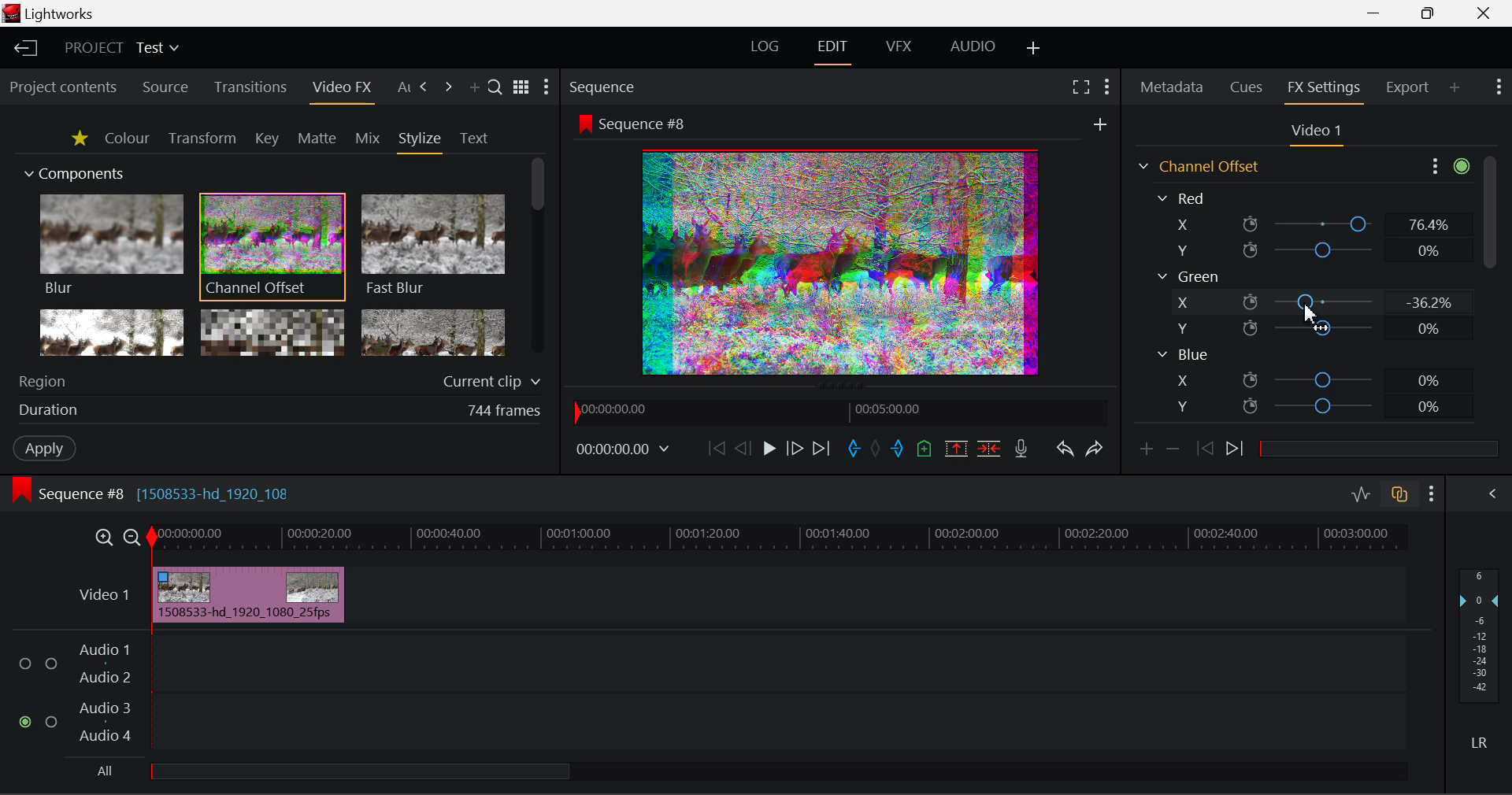  I want to click on Frame Time, so click(623, 451).